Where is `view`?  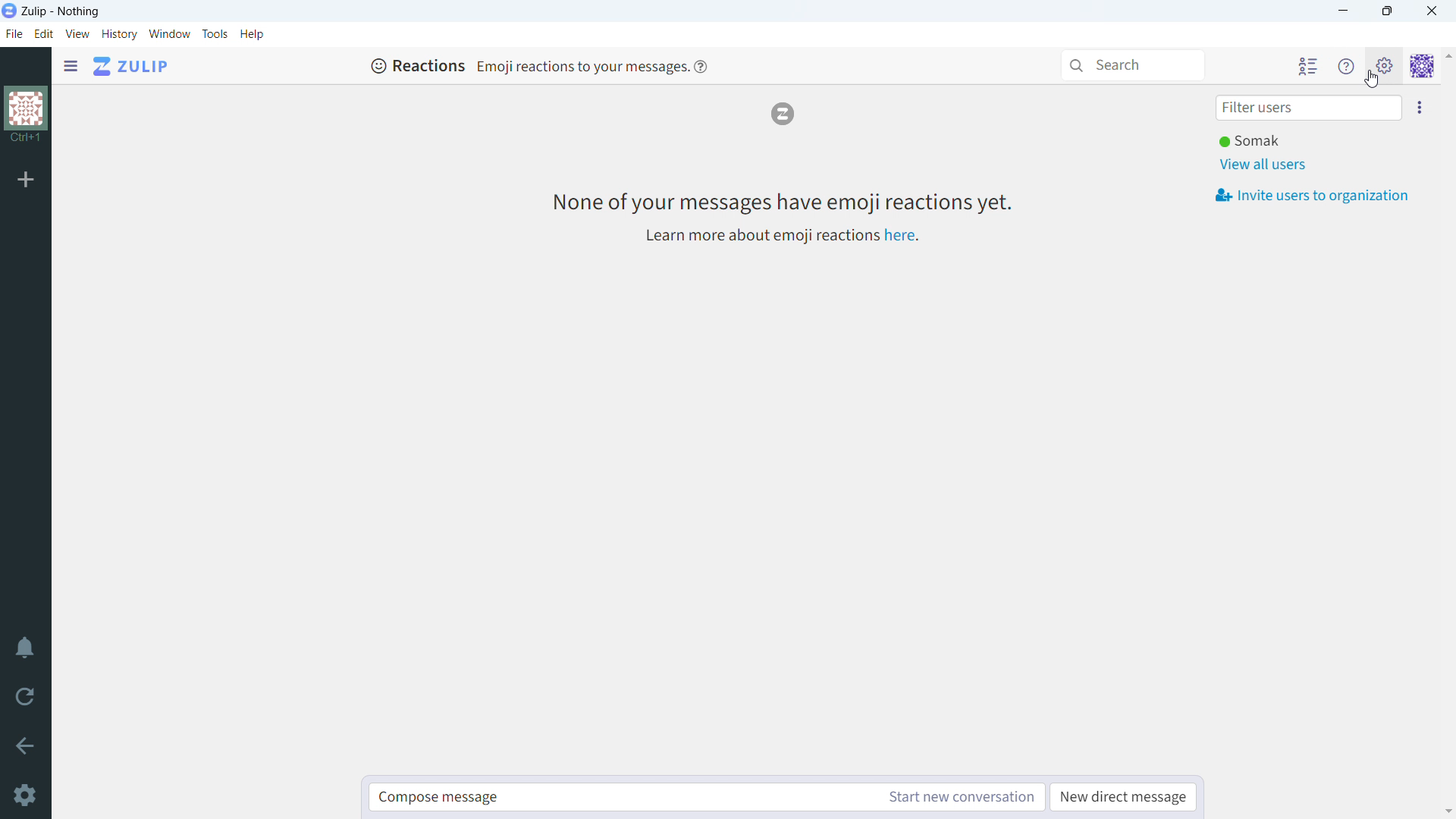
view is located at coordinates (78, 34).